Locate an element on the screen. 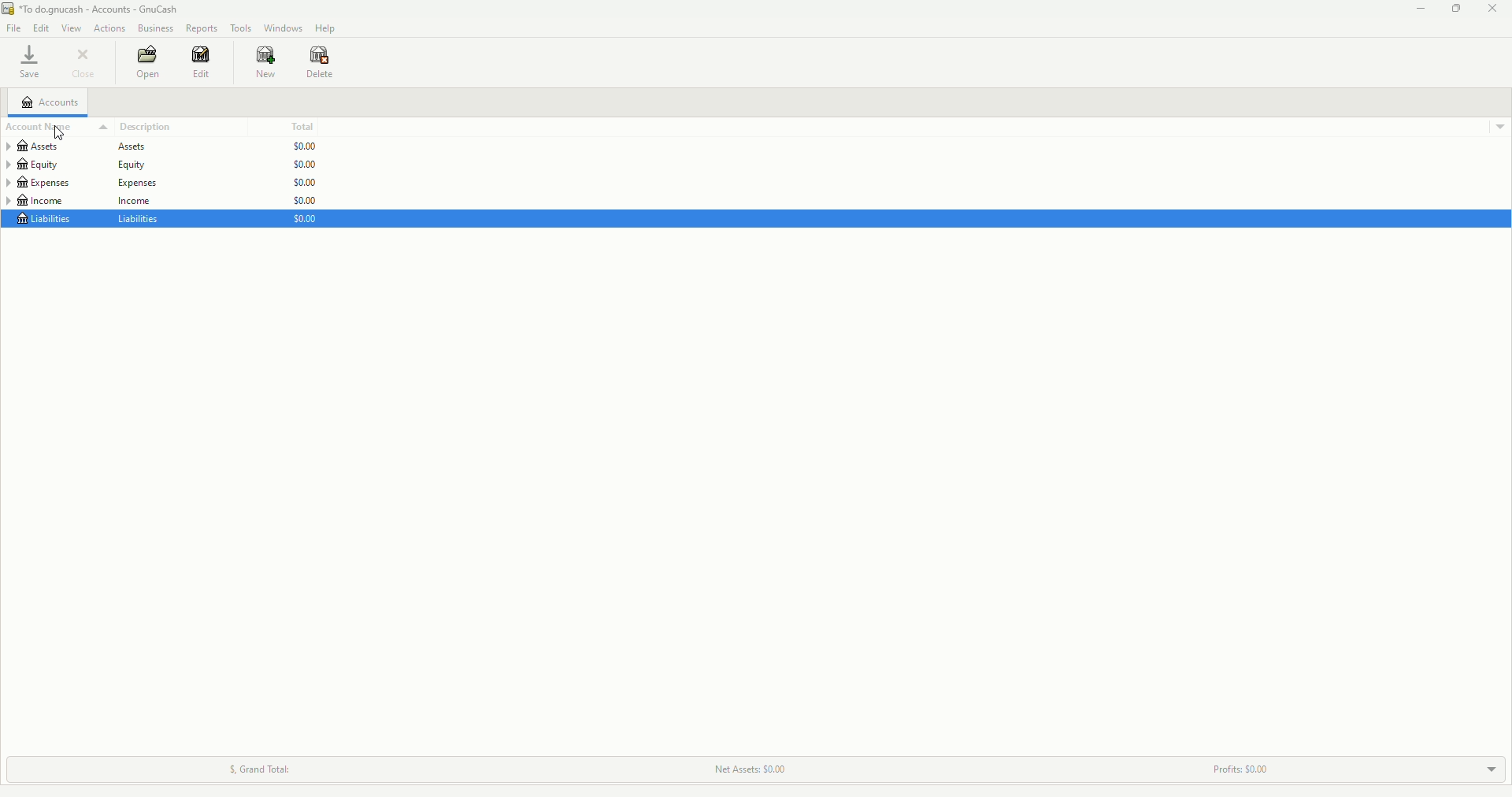  View is located at coordinates (71, 28).